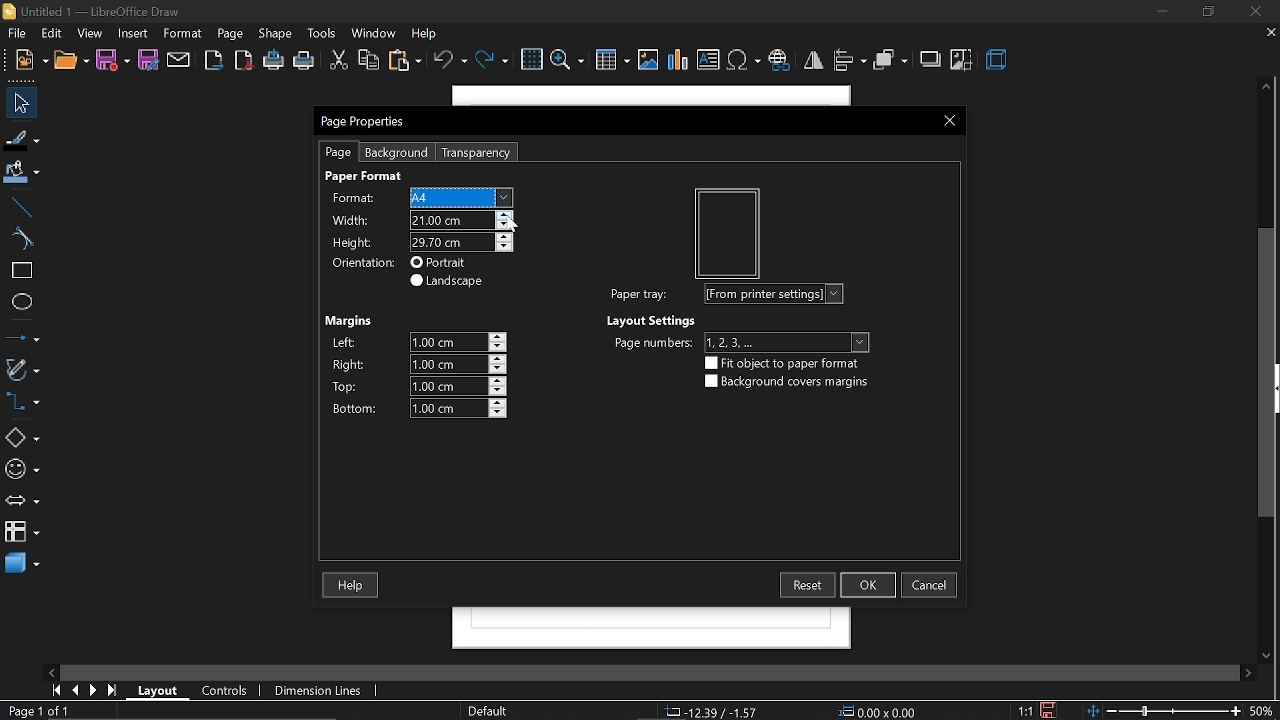 The width and height of the screenshot is (1280, 720). What do you see at coordinates (349, 585) in the screenshot?
I see `help` at bounding box center [349, 585].